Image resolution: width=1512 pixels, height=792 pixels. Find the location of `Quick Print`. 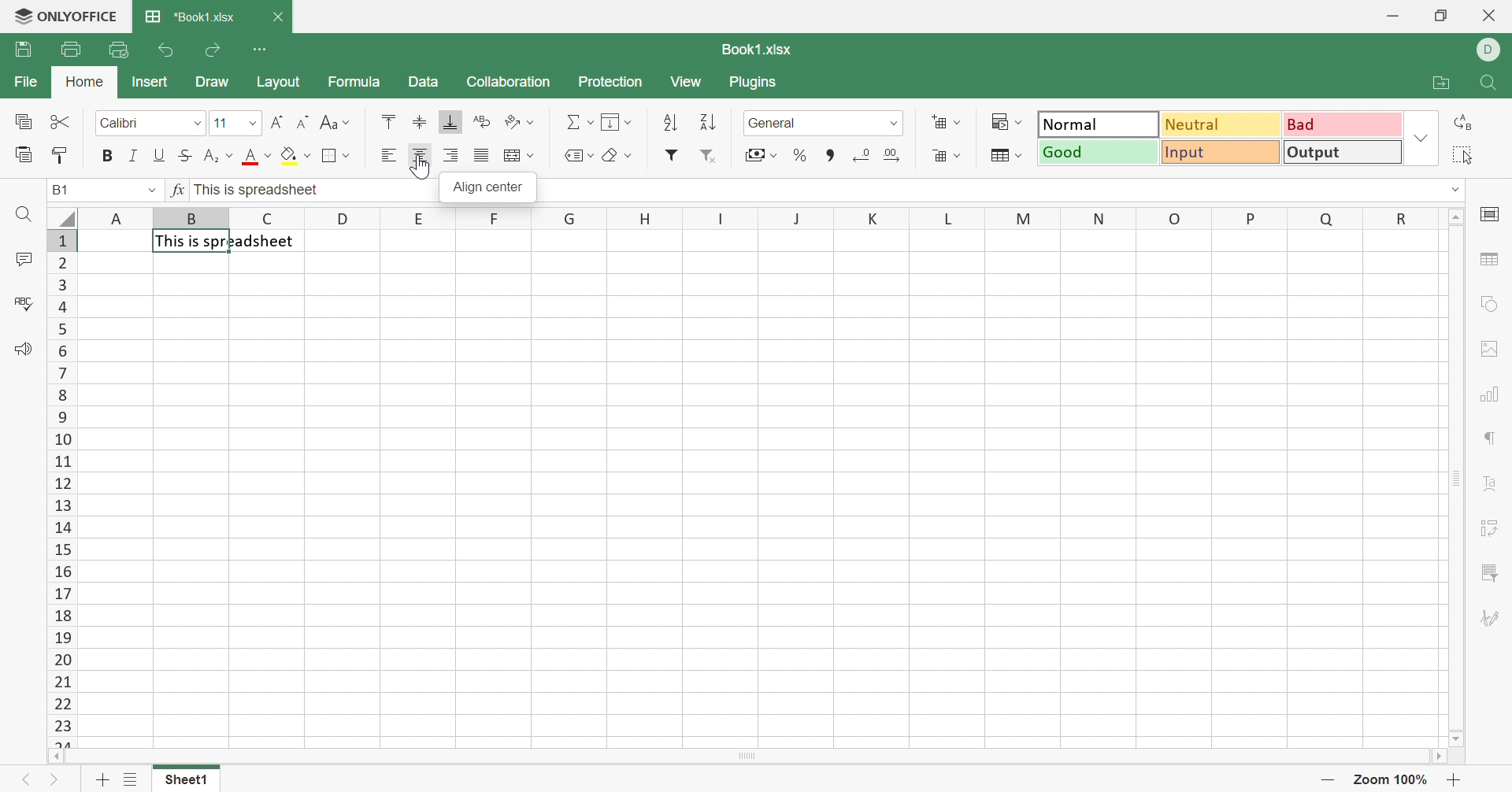

Quick Print is located at coordinates (116, 51).